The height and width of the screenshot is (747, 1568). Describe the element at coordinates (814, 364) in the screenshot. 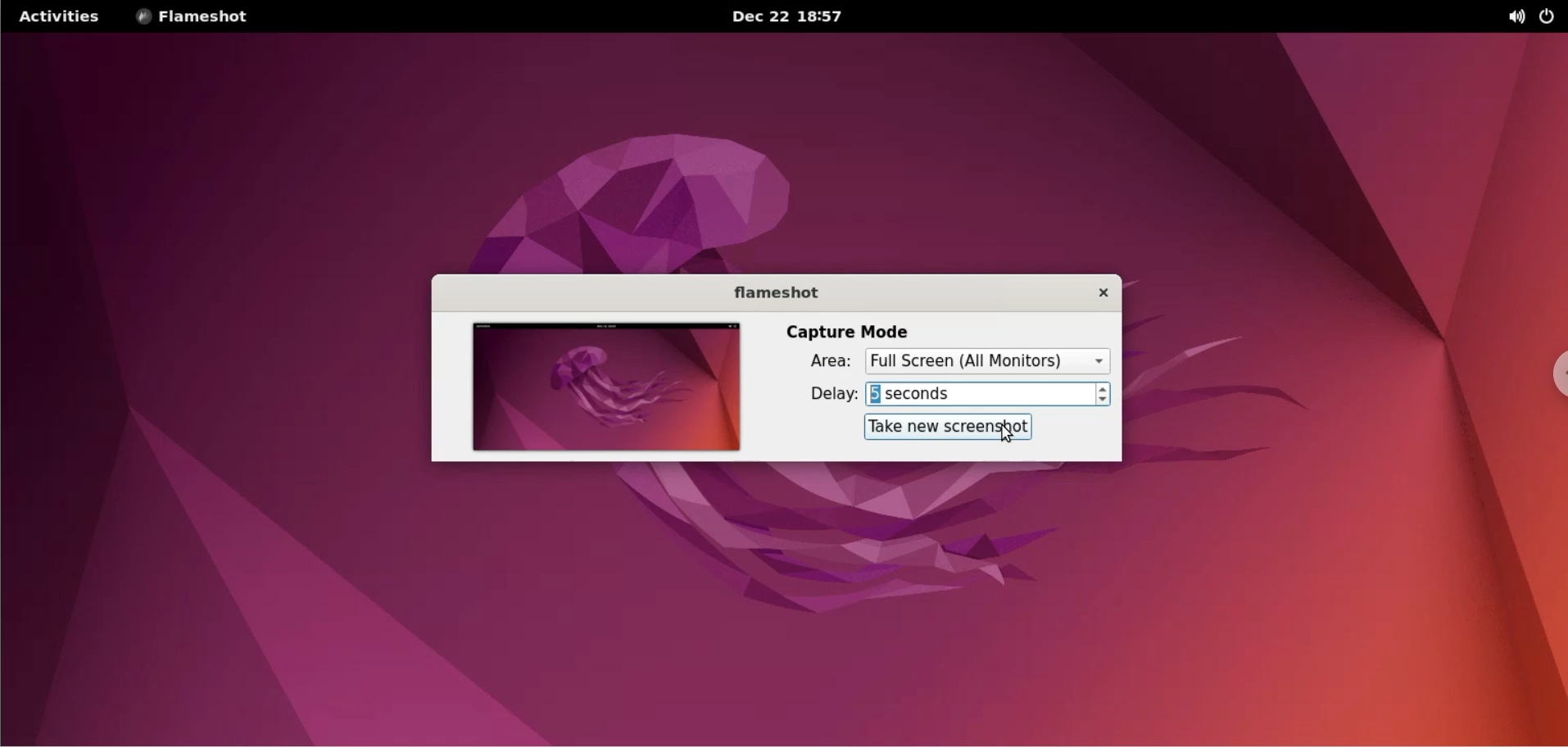

I see `area:` at that location.